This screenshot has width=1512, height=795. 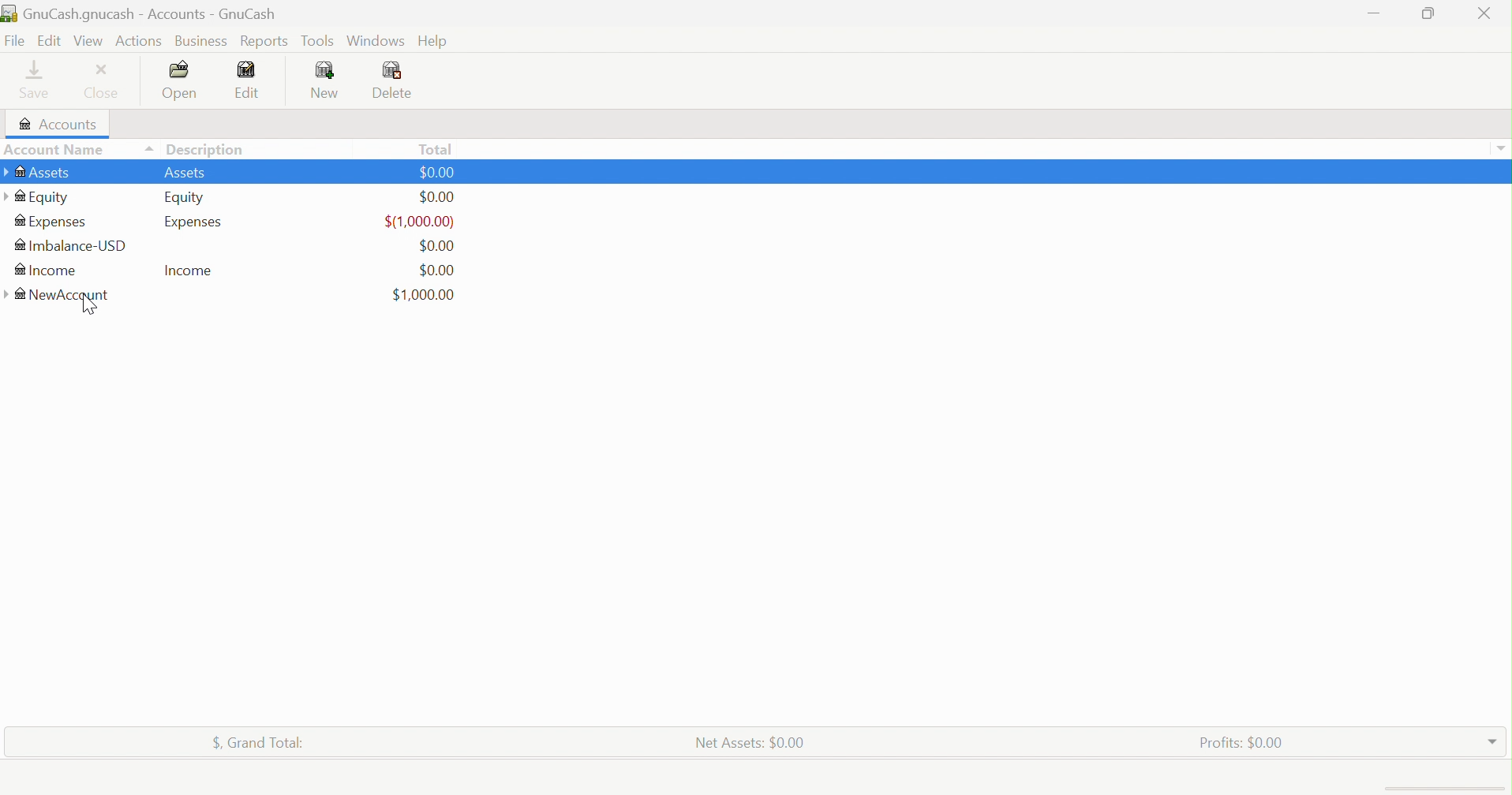 I want to click on Reports, so click(x=263, y=41).